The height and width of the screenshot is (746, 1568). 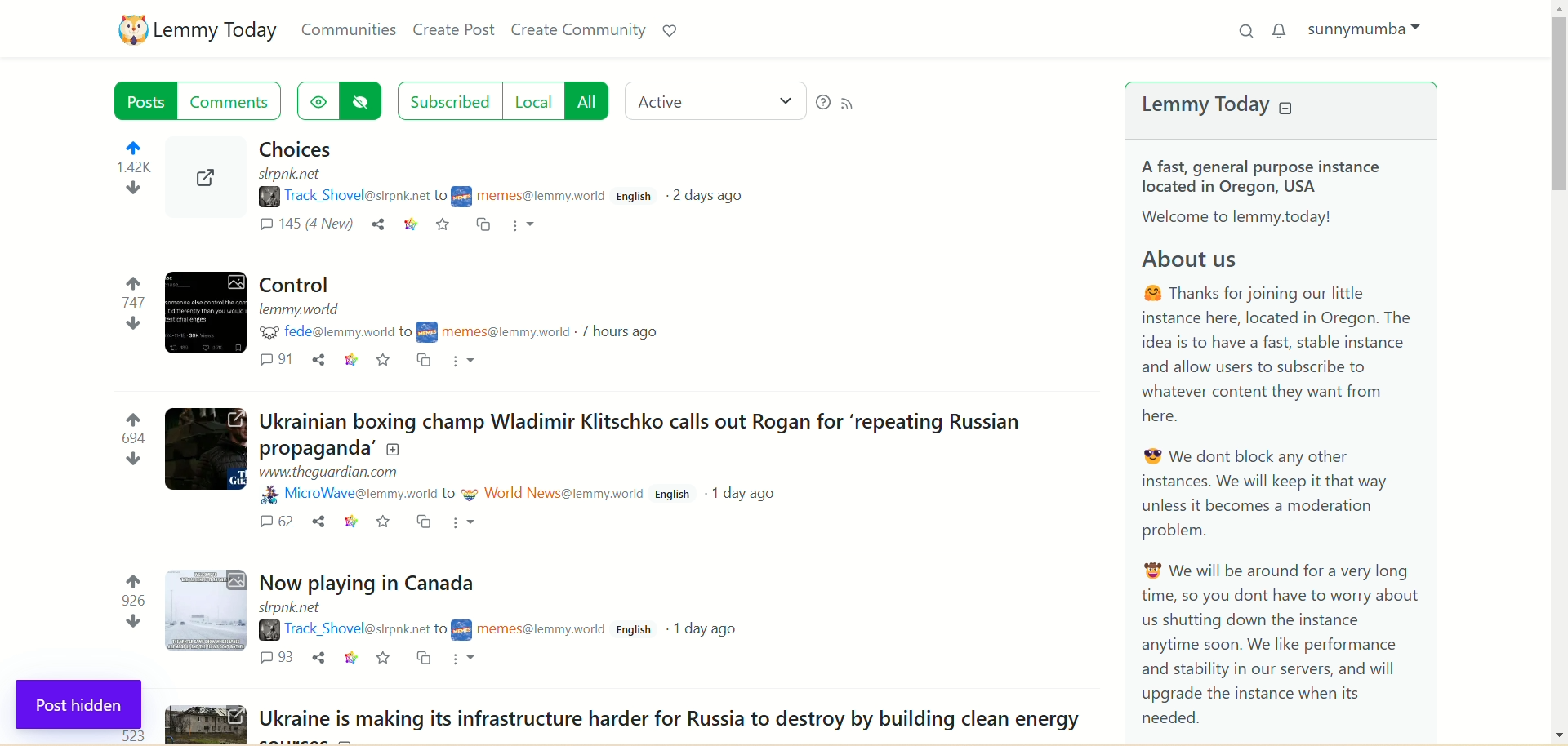 I want to click on comments, so click(x=278, y=658).